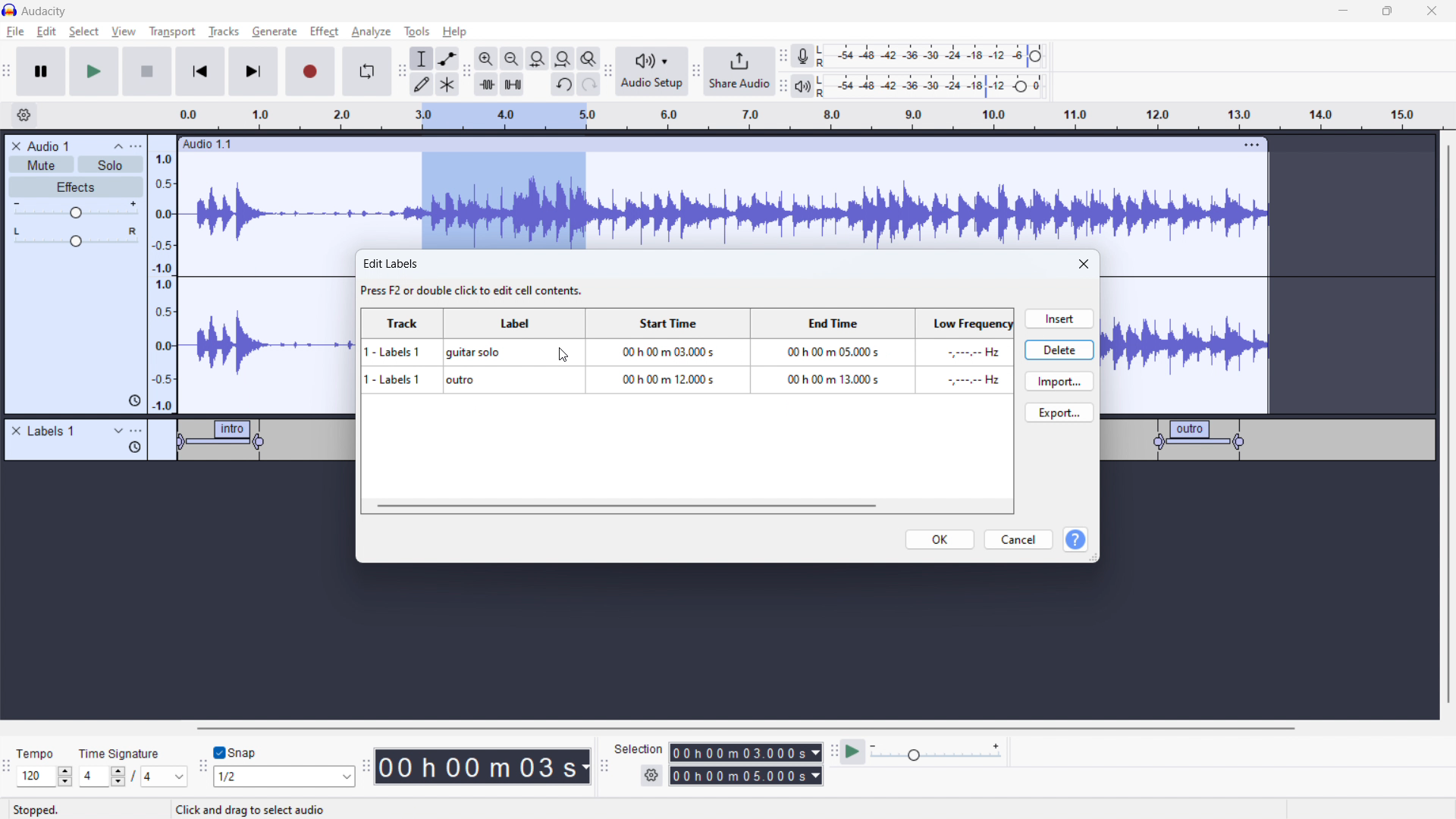 Image resolution: width=1456 pixels, height=819 pixels. What do you see at coordinates (652, 776) in the screenshot?
I see `selection settings` at bounding box center [652, 776].